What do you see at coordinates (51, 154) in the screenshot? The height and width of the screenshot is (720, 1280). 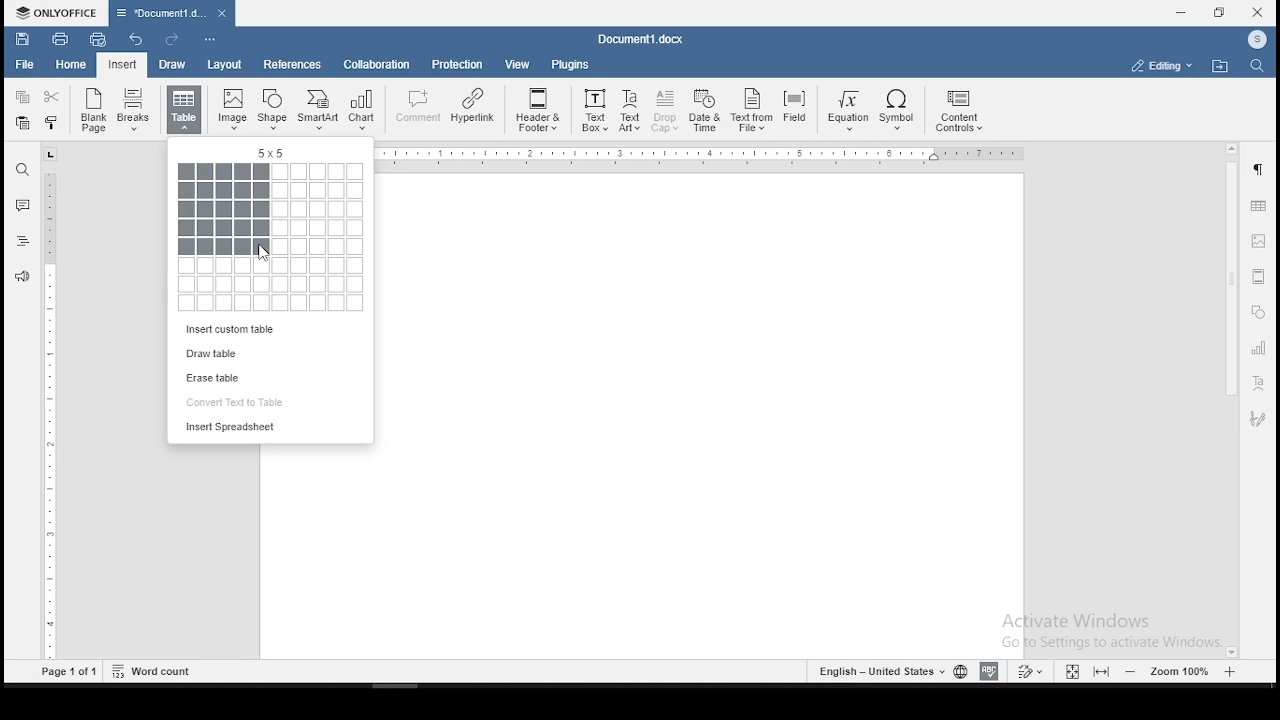 I see `tab stop` at bounding box center [51, 154].